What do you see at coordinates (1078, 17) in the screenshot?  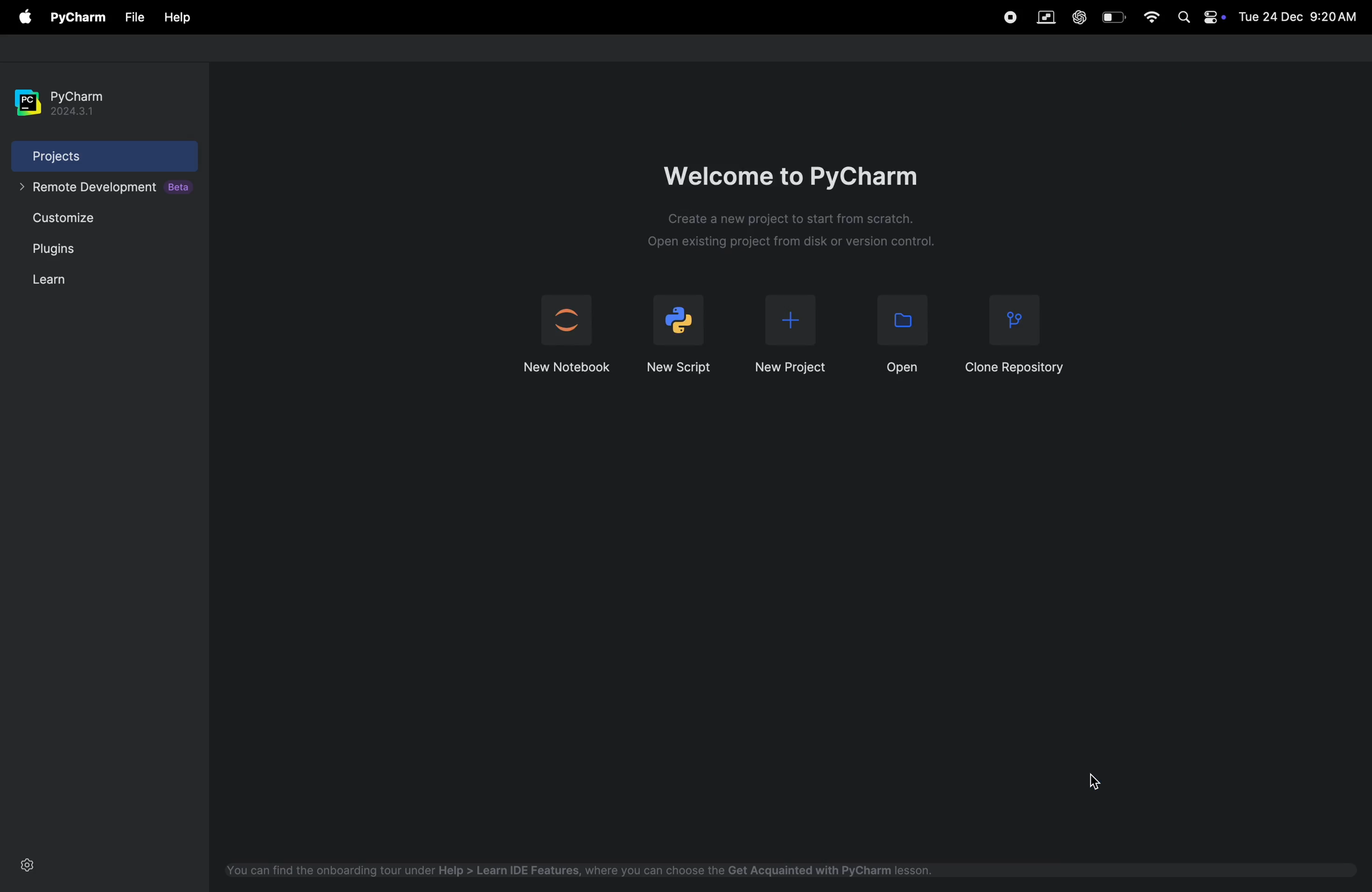 I see `chatgpt` at bounding box center [1078, 17].